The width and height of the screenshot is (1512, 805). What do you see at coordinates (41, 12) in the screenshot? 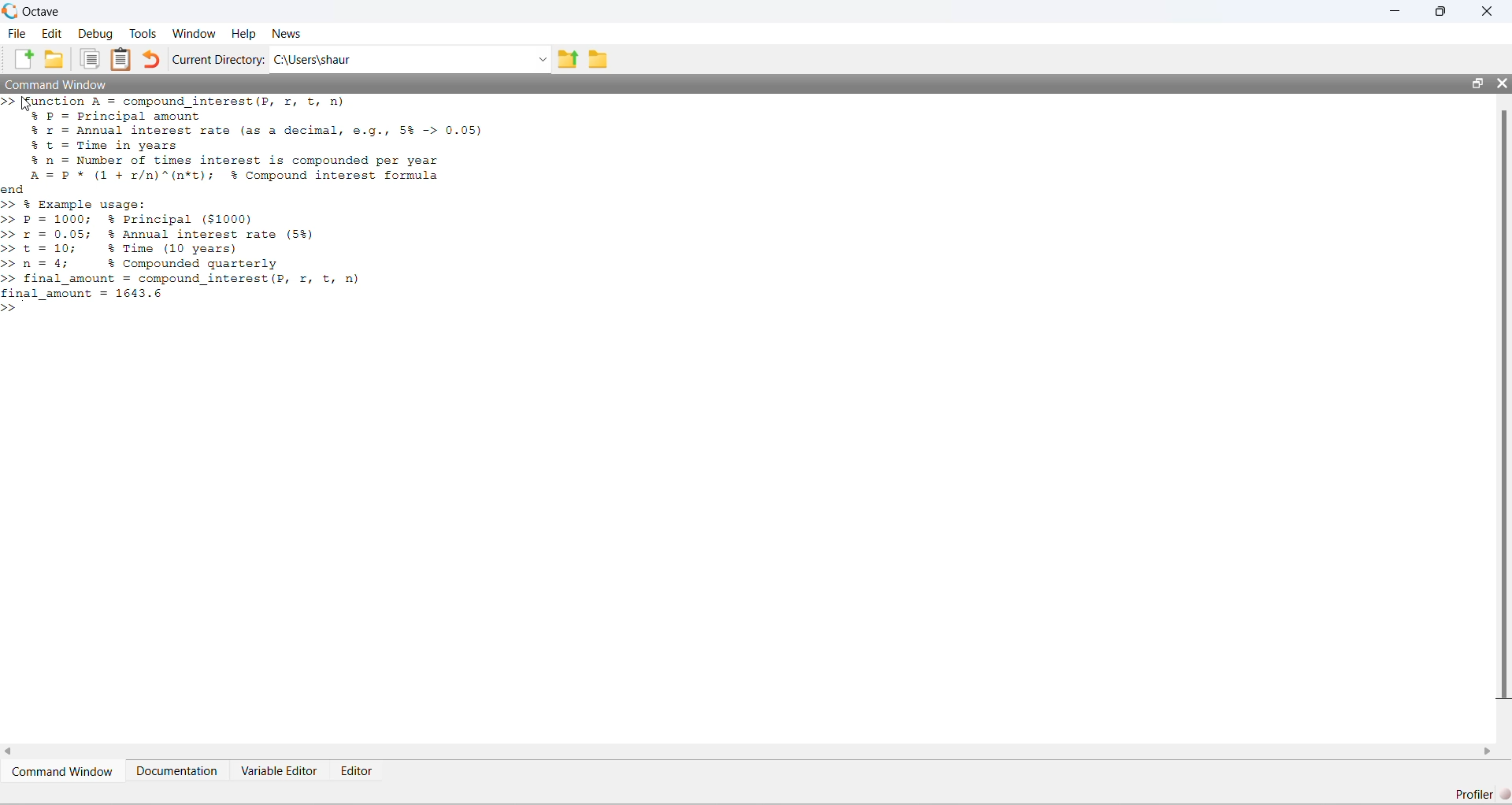
I see `Octave` at bounding box center [41, 12].